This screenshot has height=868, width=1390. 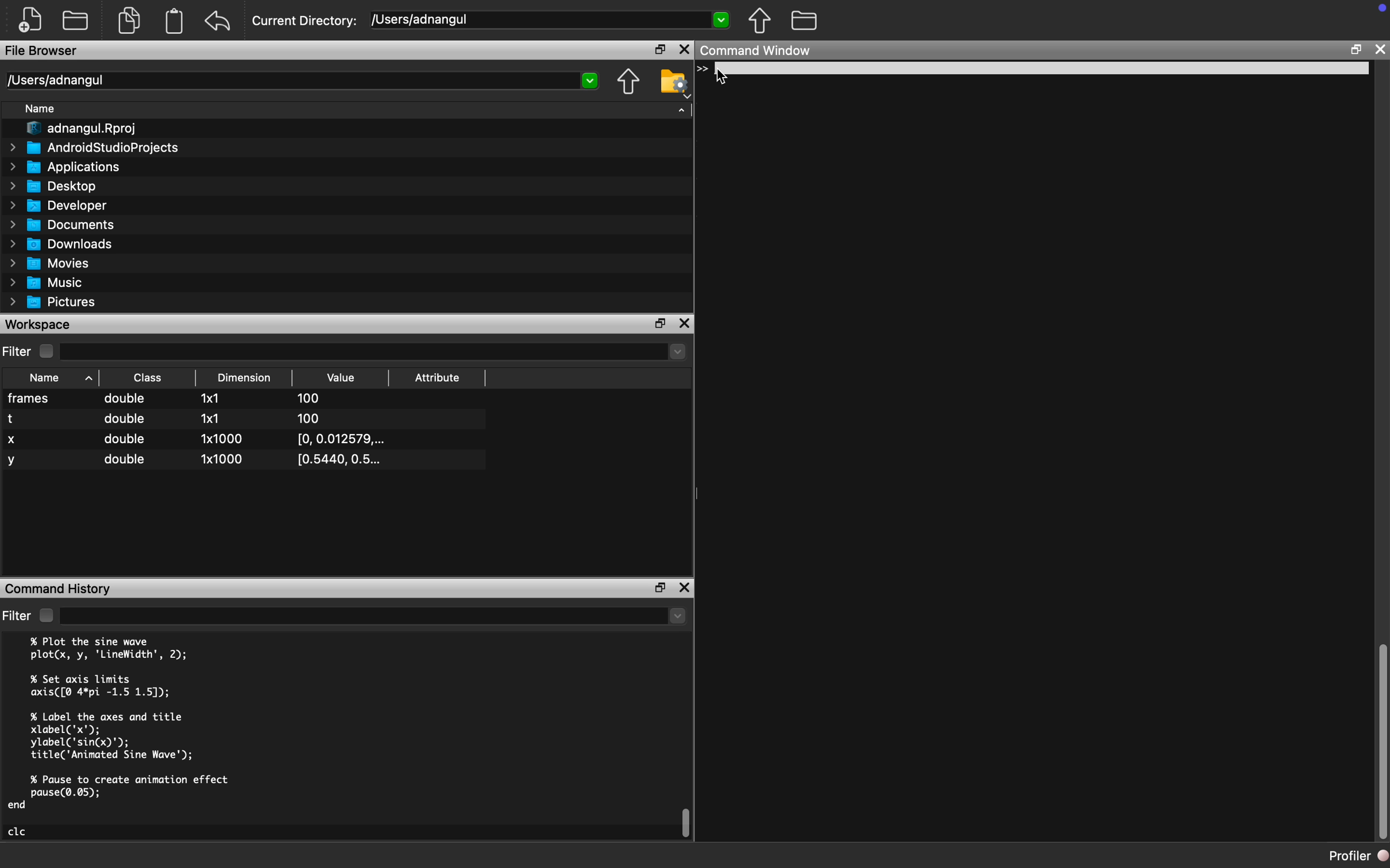 I want to click on Folder Setting, so click(x=672, y=83).